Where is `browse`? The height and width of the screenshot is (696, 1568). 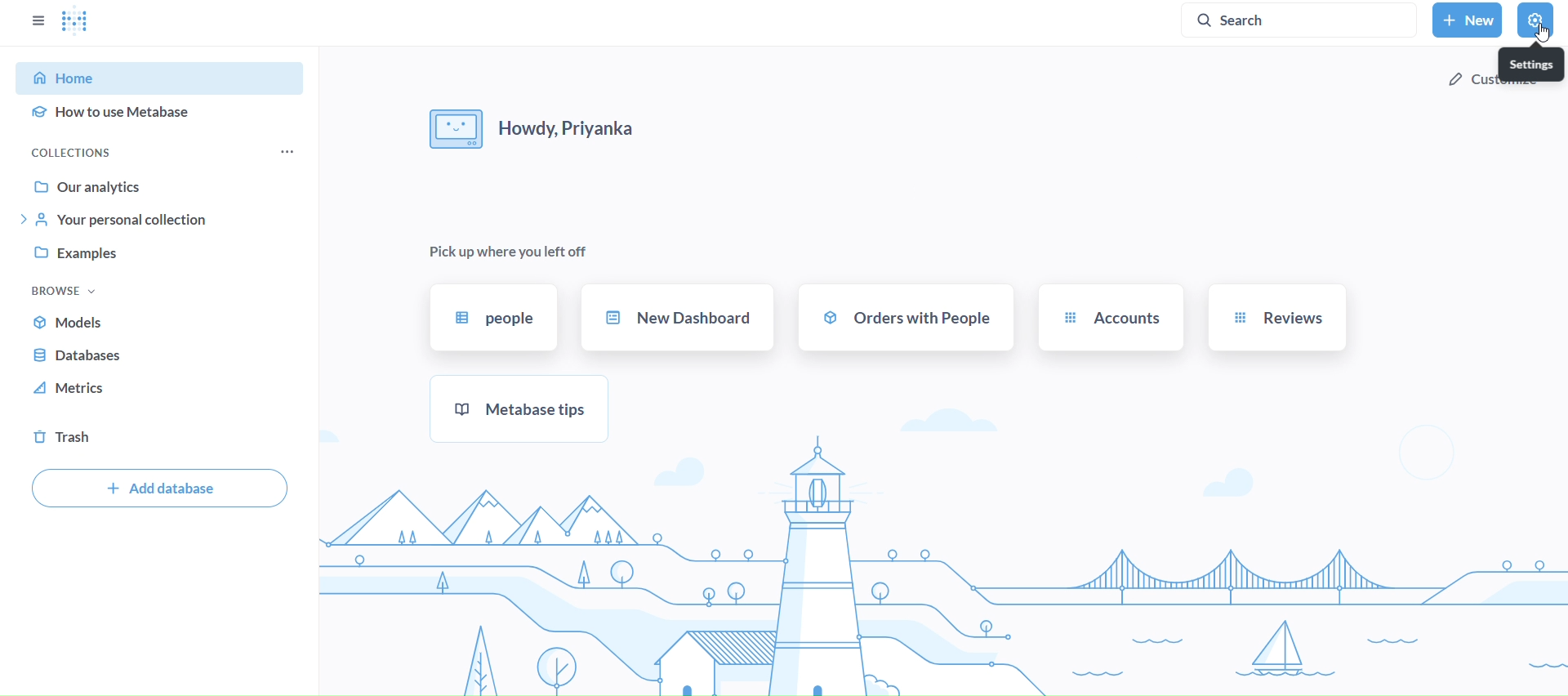 browse is located at coordinates (65, 289).